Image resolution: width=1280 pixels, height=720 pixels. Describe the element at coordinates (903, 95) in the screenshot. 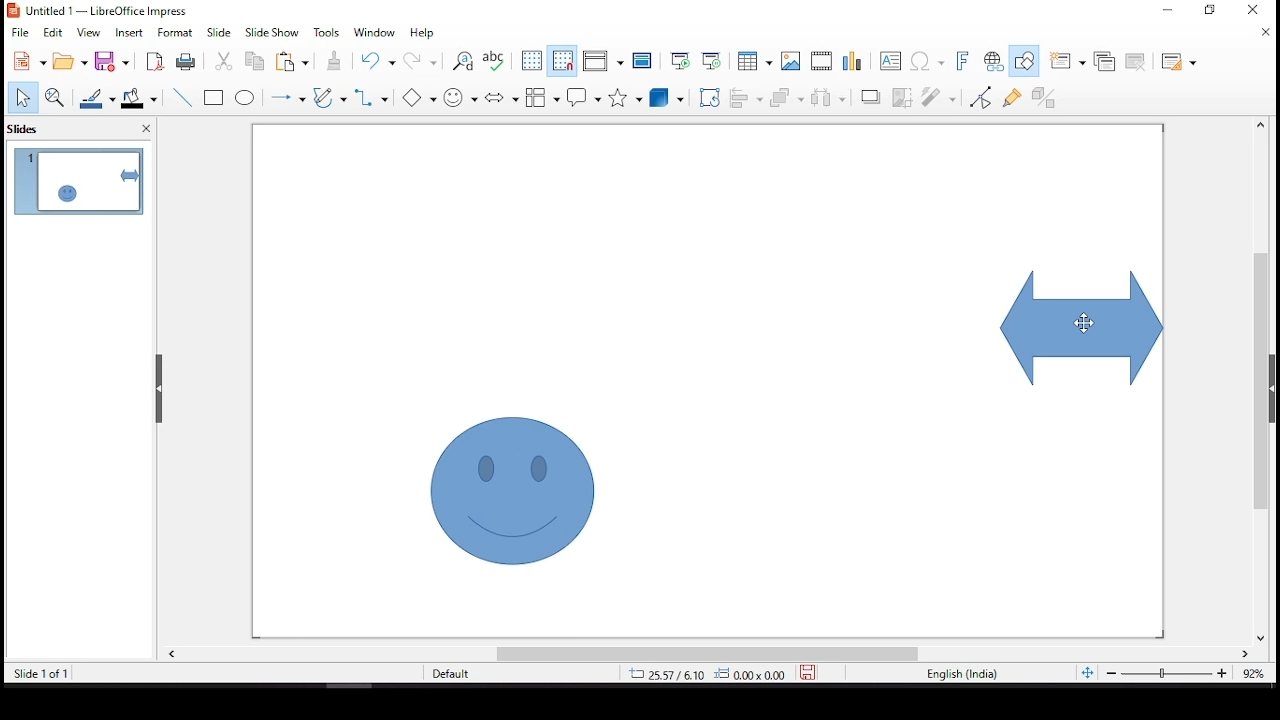

I see `crop image` at that location.